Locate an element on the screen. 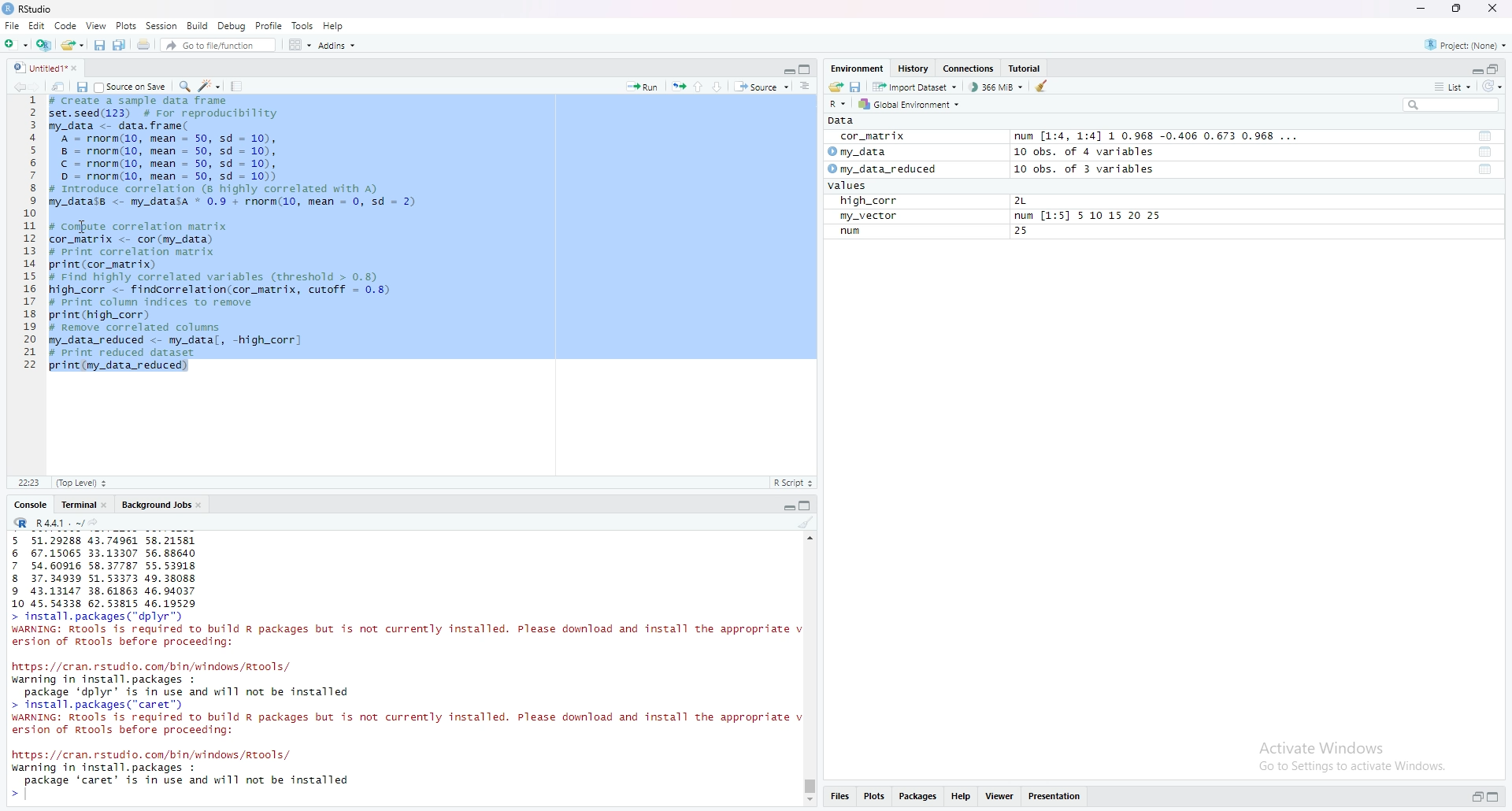  more is located at coordinates (806, 86).